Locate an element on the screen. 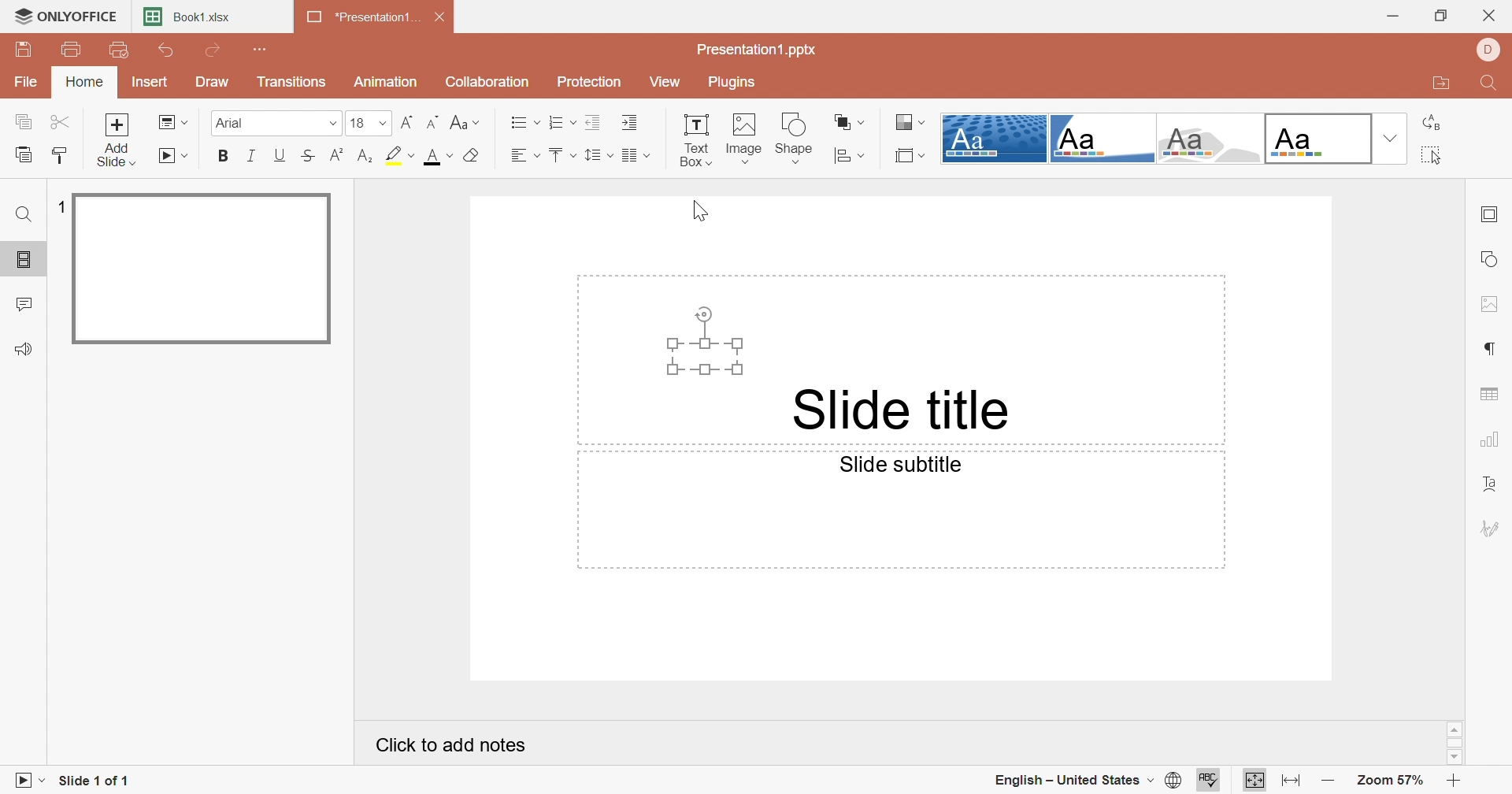 This screenshot has width=1512, height=794. Horizontal align is located at coordinates (522, 155).